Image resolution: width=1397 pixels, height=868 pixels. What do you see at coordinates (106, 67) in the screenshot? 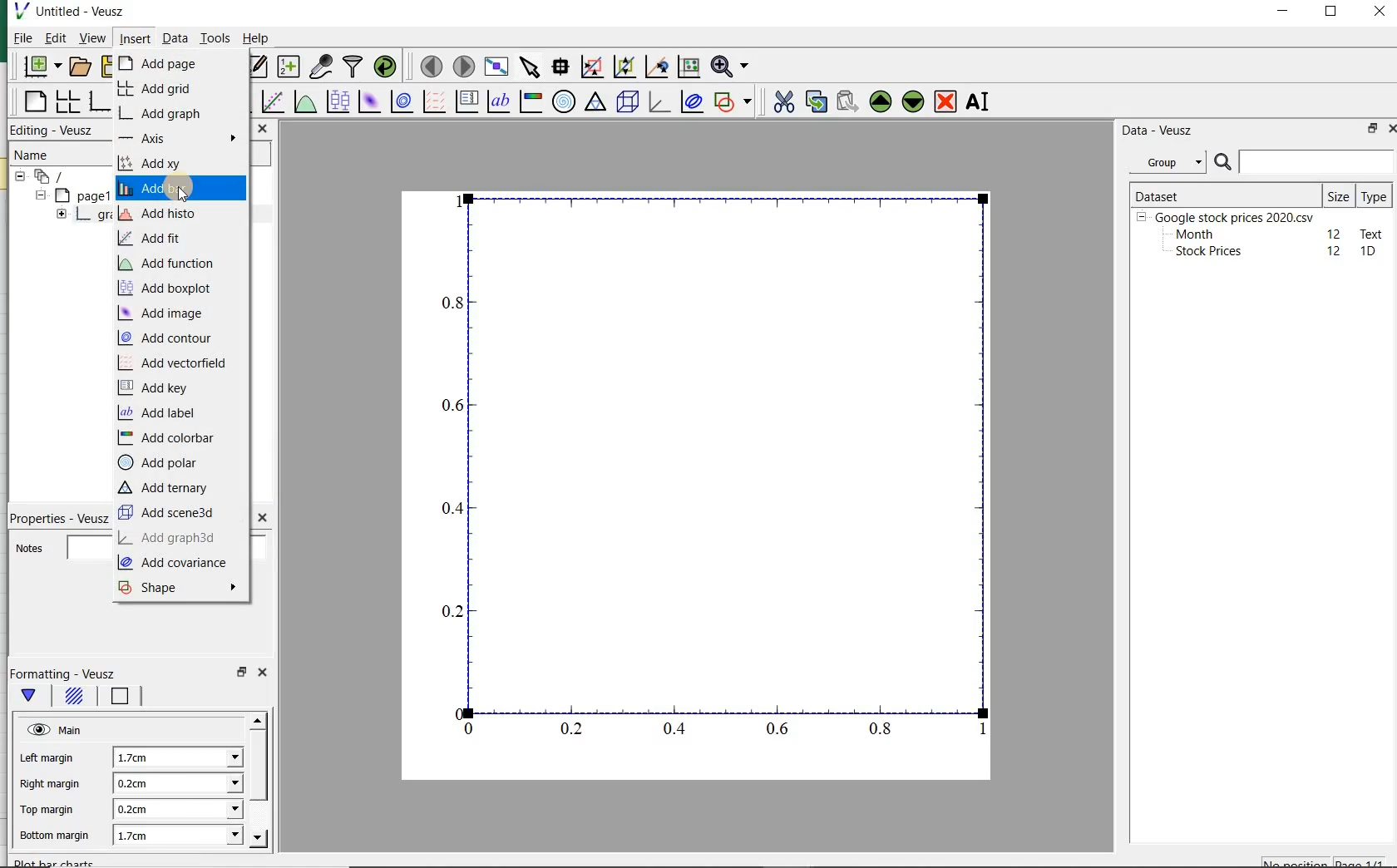
I see `save the document` at bounding box center [106, 67].